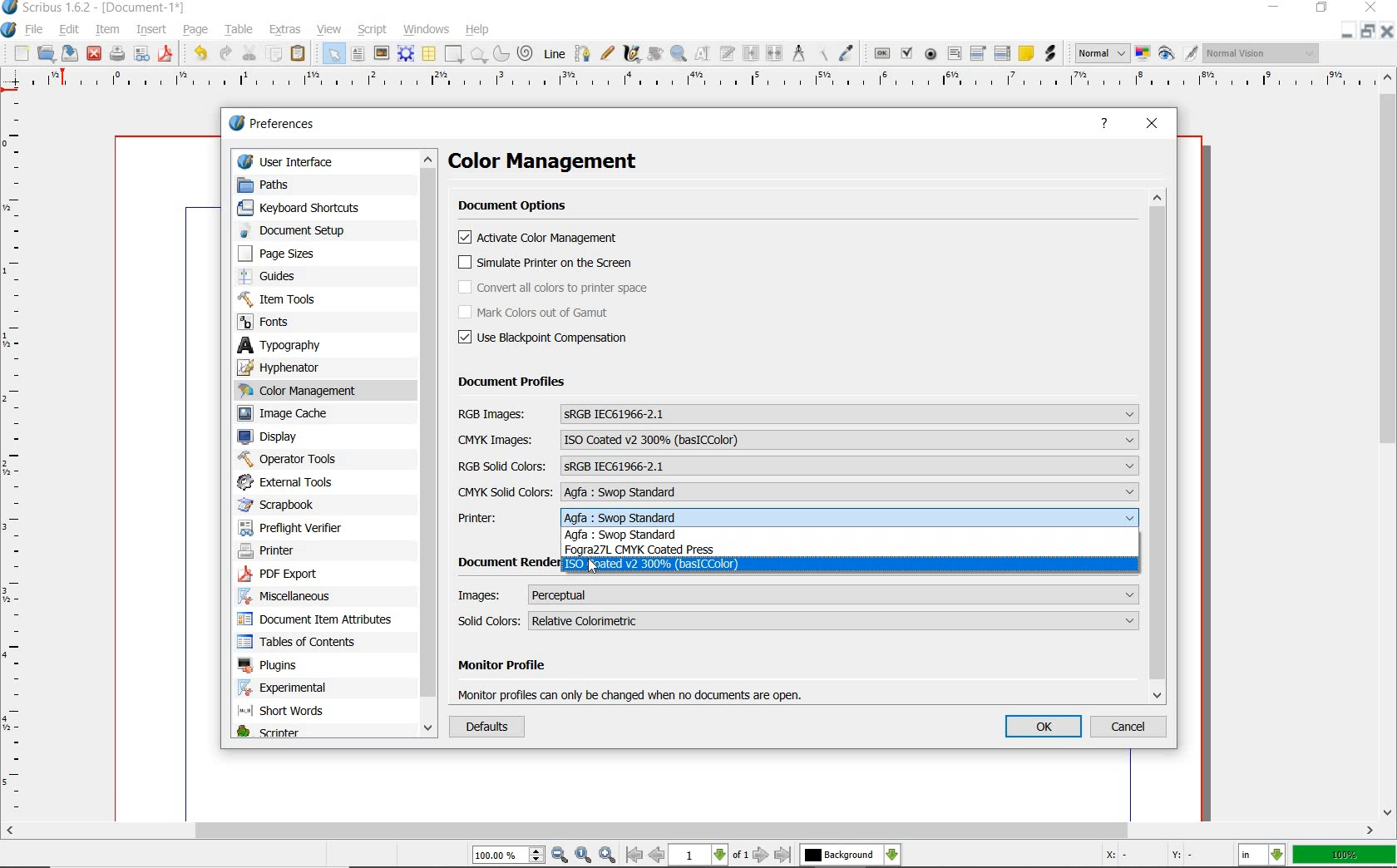 The width and height of the screenshot is (1397, 868). Describe the element at coordinates (595, 568) in the screenshot. I see `cursor` at that location.